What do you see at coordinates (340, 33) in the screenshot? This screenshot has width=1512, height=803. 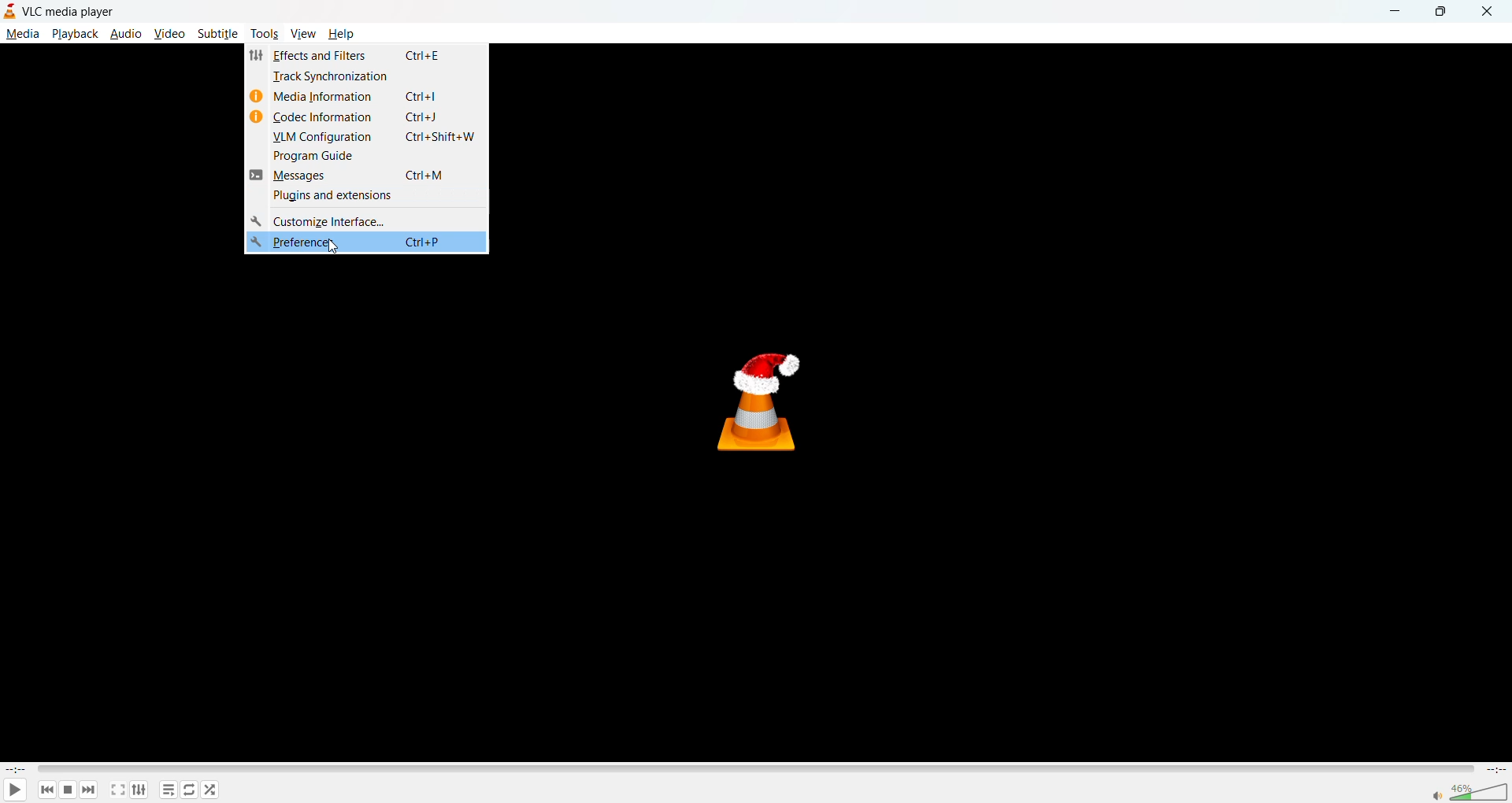 I see `help` at bounding box center [340, 33].